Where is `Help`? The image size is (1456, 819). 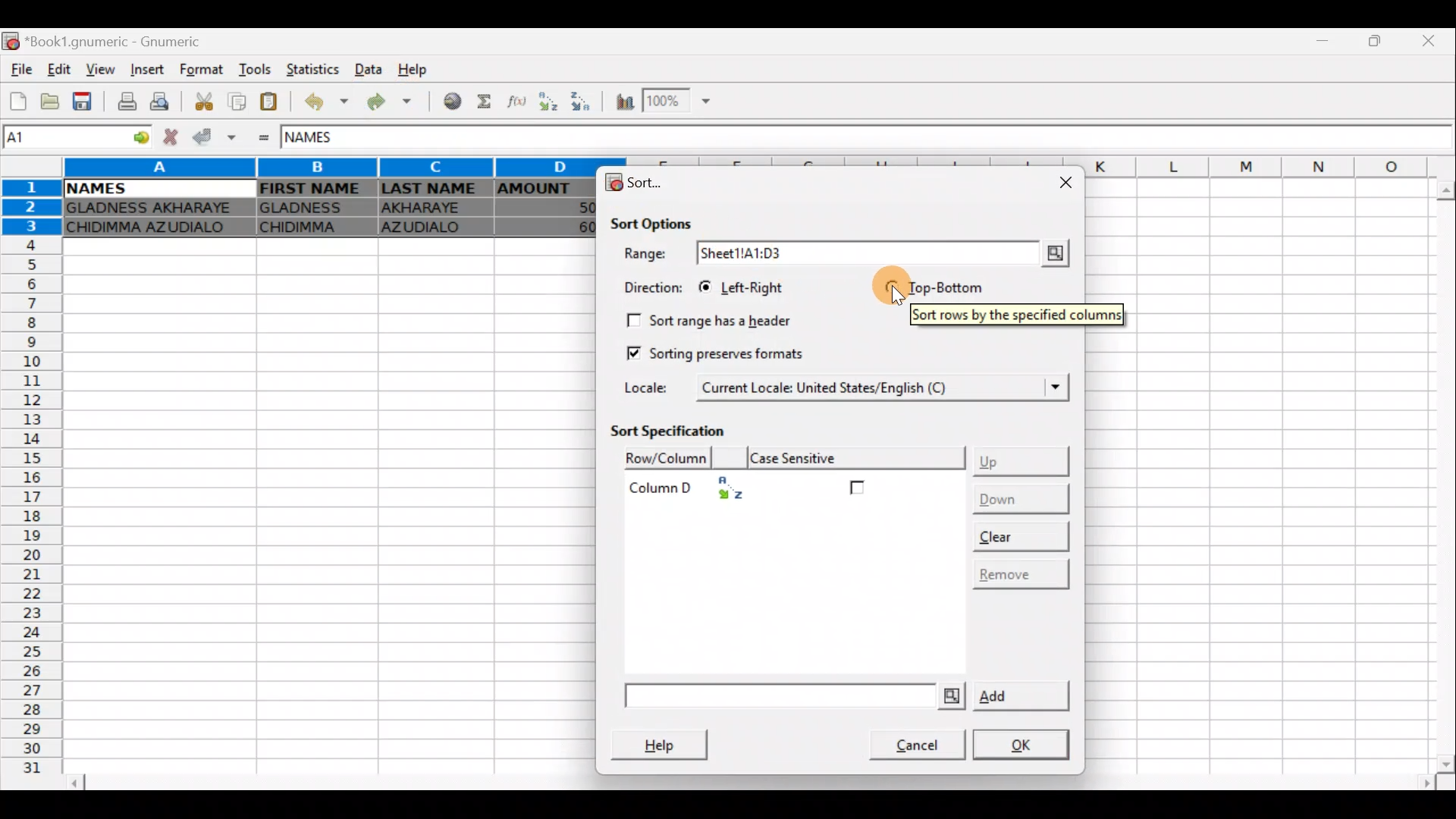 Help is located at coordinates (667, 743).